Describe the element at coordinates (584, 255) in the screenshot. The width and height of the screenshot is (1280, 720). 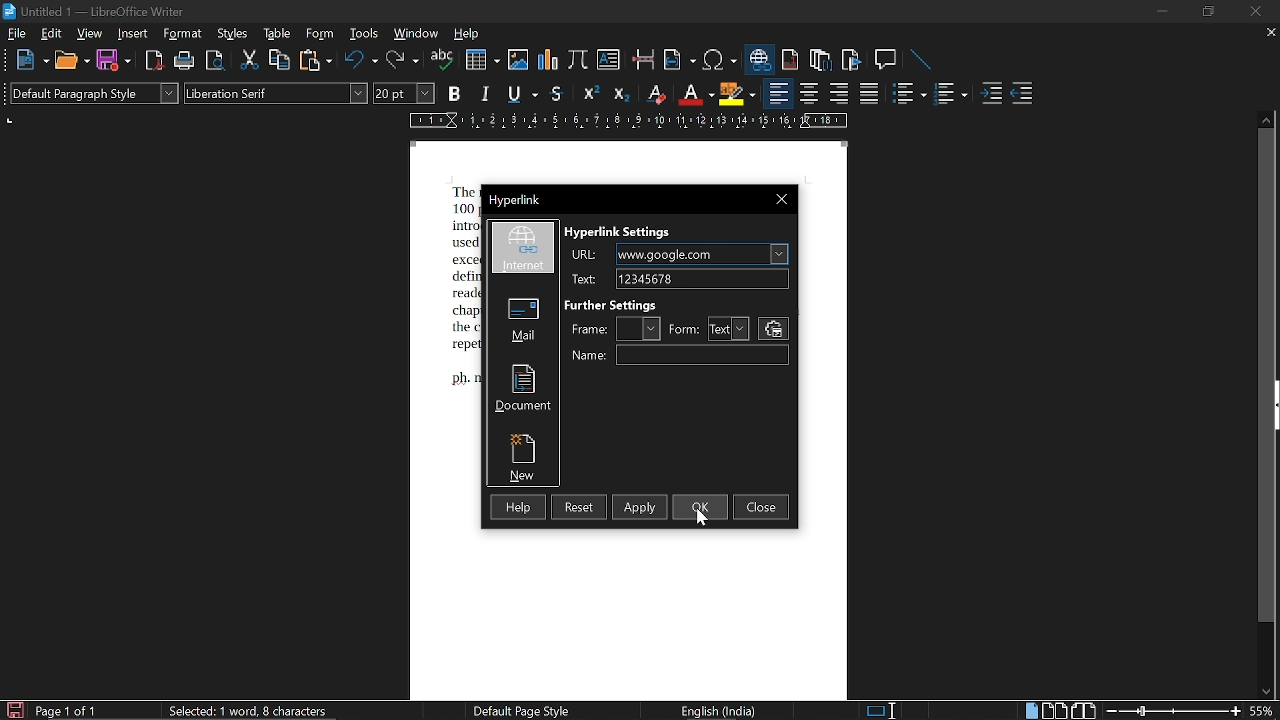
I see `URL` at that location.